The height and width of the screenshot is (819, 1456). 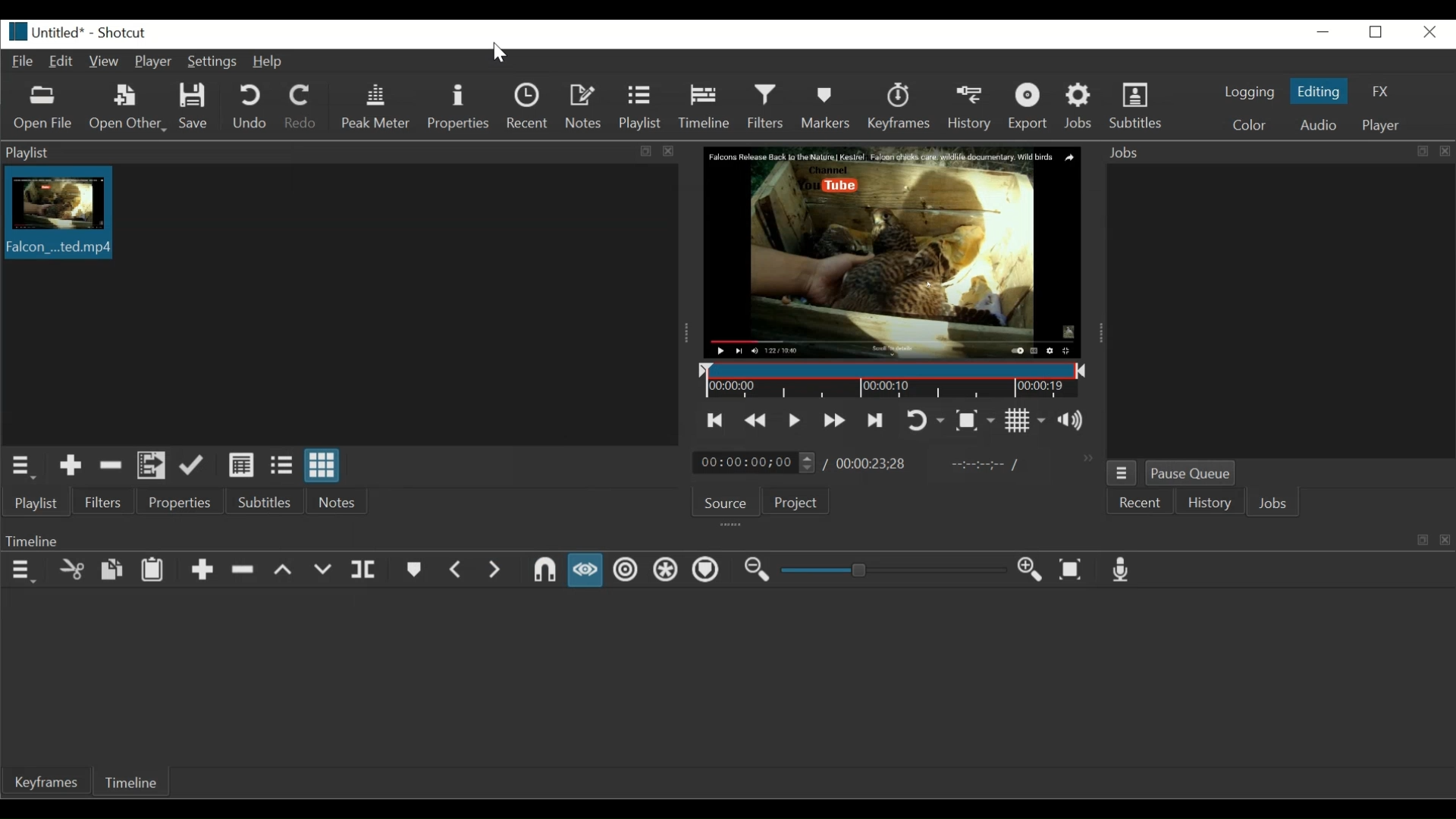 I want to click on Remove cut, so click(x=111, y=465).